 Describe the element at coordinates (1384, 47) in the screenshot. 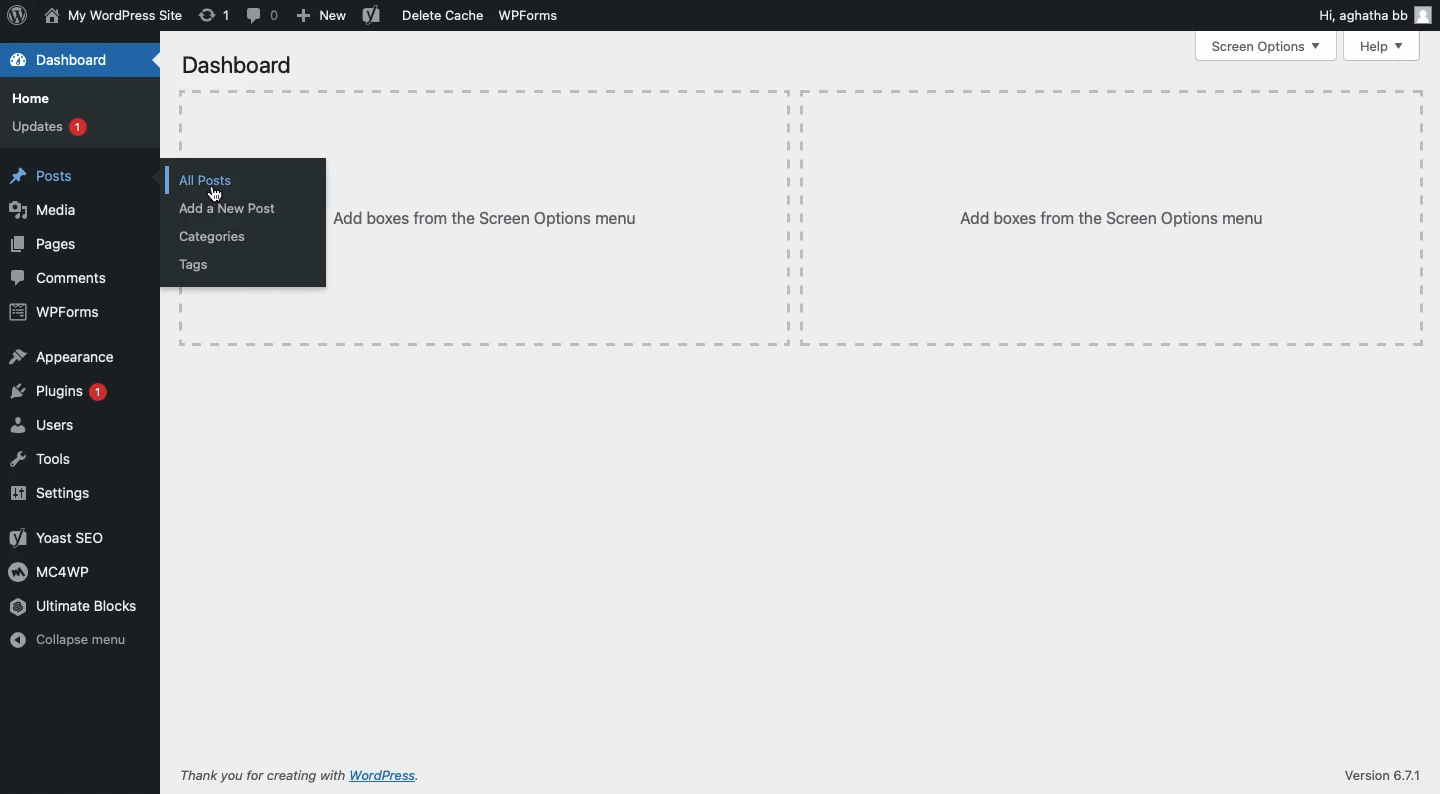

I see `Help` at that location.